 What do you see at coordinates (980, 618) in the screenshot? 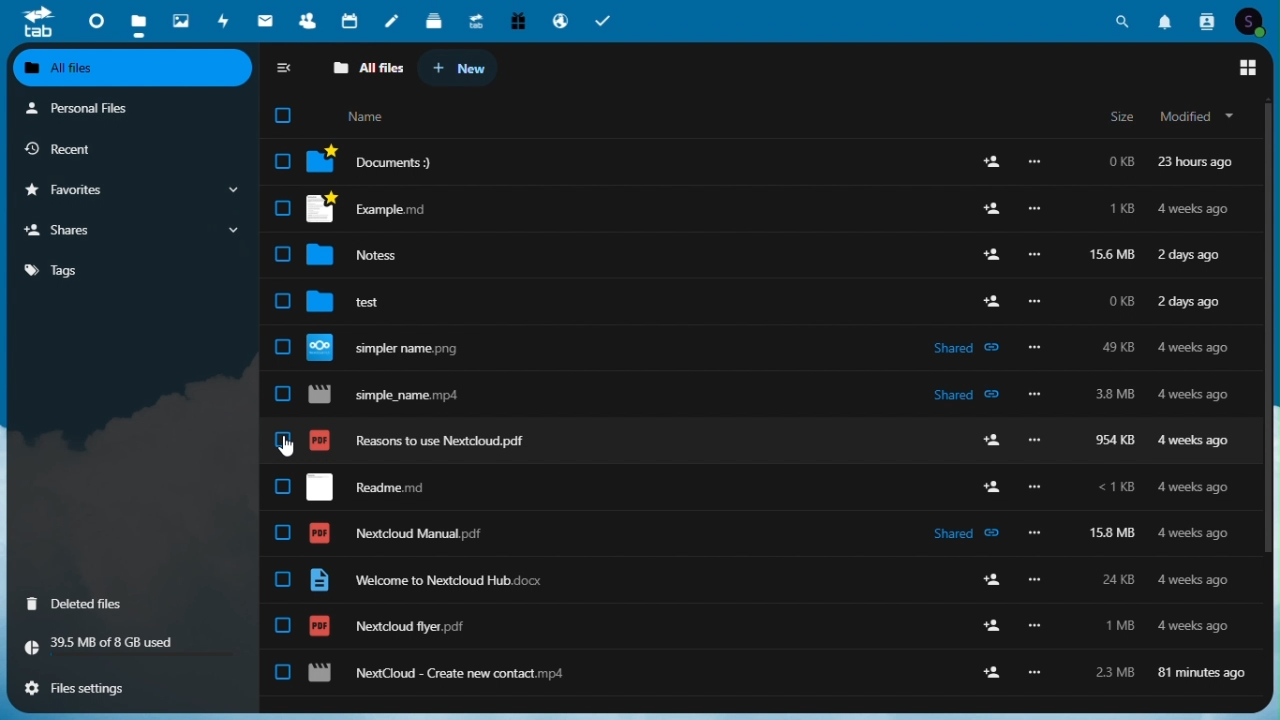
I see ` add user` at bounding box center [980, 618].